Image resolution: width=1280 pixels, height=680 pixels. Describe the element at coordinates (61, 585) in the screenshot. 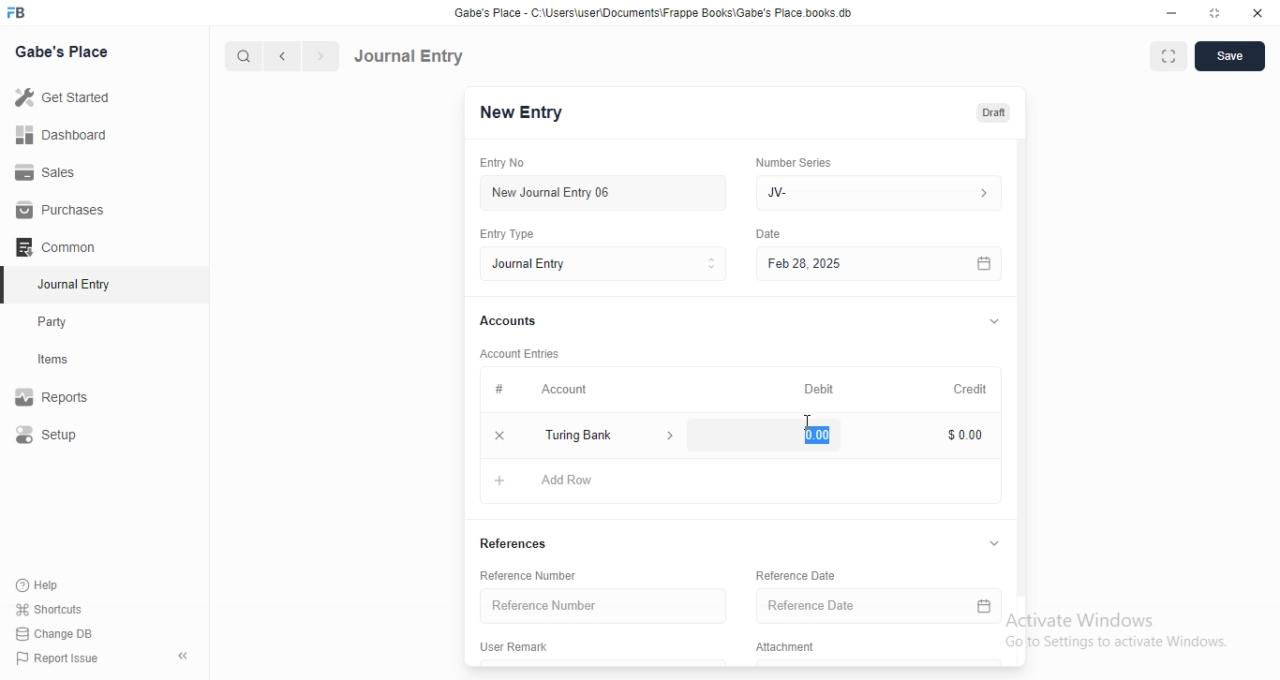

I see `‘Help` at that location.